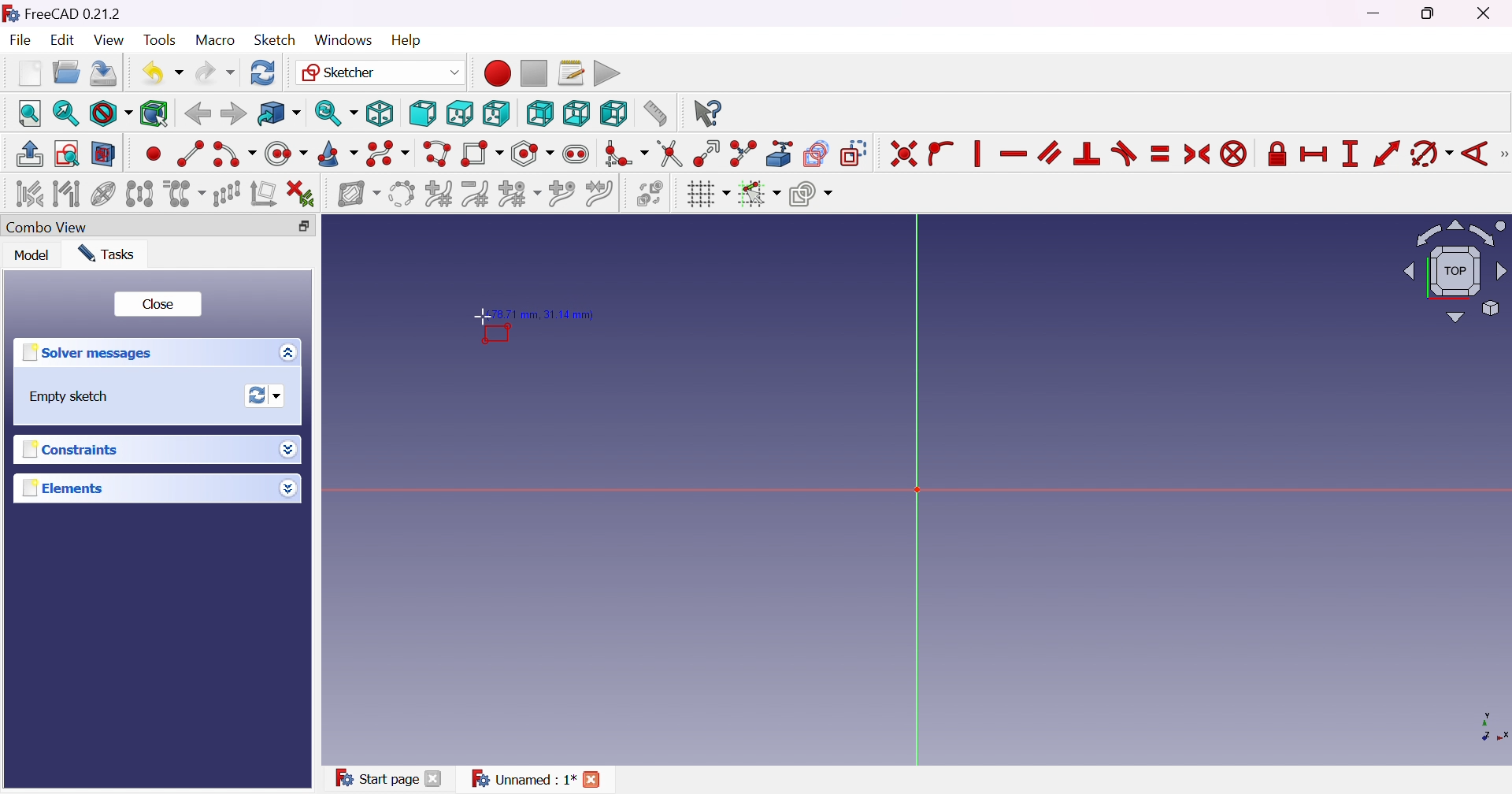 The width and height of the screenshot is (1512, 794). I want to click on Viewing angle, so click(1451, 270).